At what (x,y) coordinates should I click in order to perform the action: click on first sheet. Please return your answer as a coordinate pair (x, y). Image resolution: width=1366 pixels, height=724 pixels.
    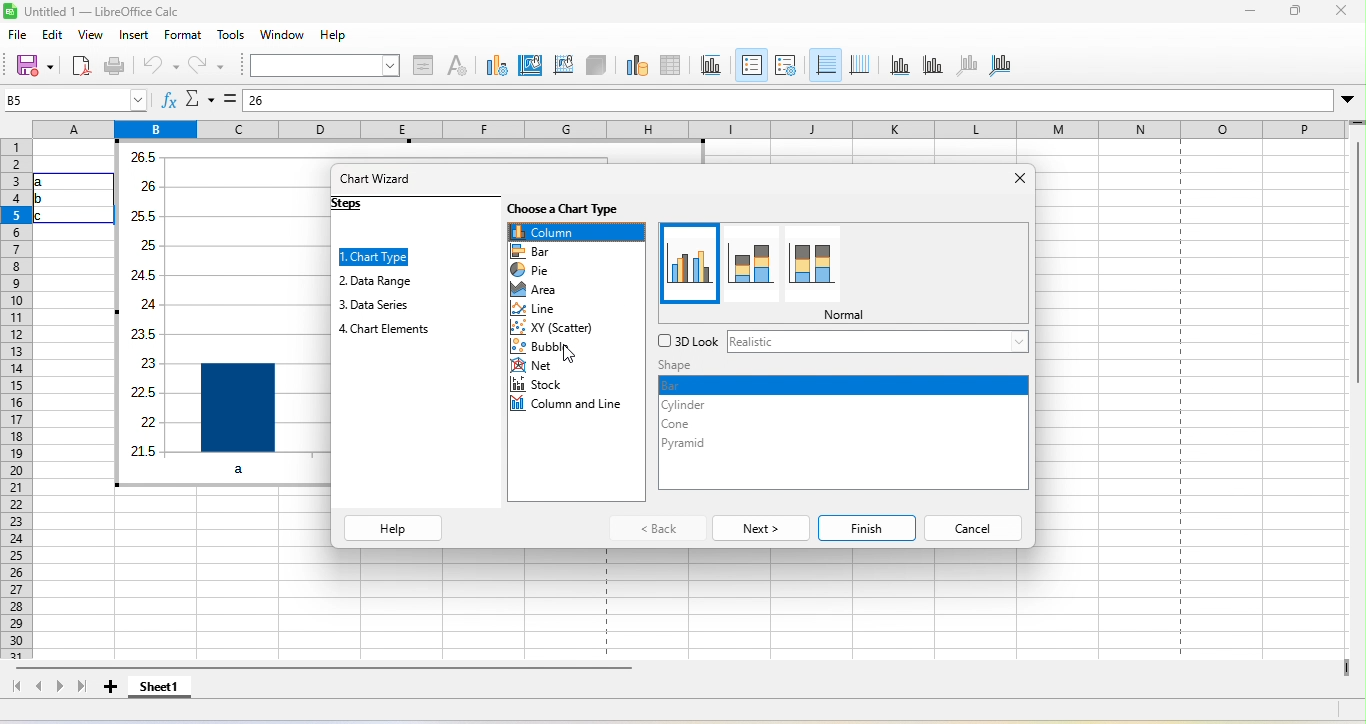
    Looking at the image, I should click on (15, 688).